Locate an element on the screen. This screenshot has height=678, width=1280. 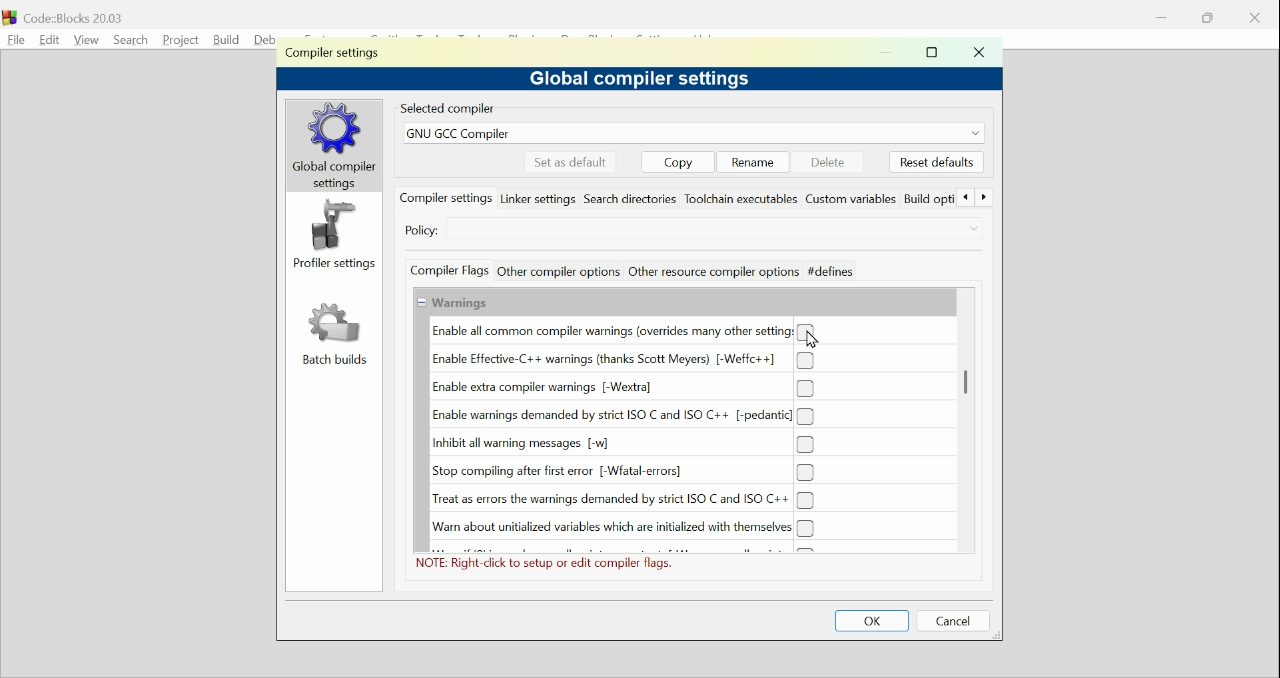
Vertical Scroll bar is located at coordinates (970, 382).